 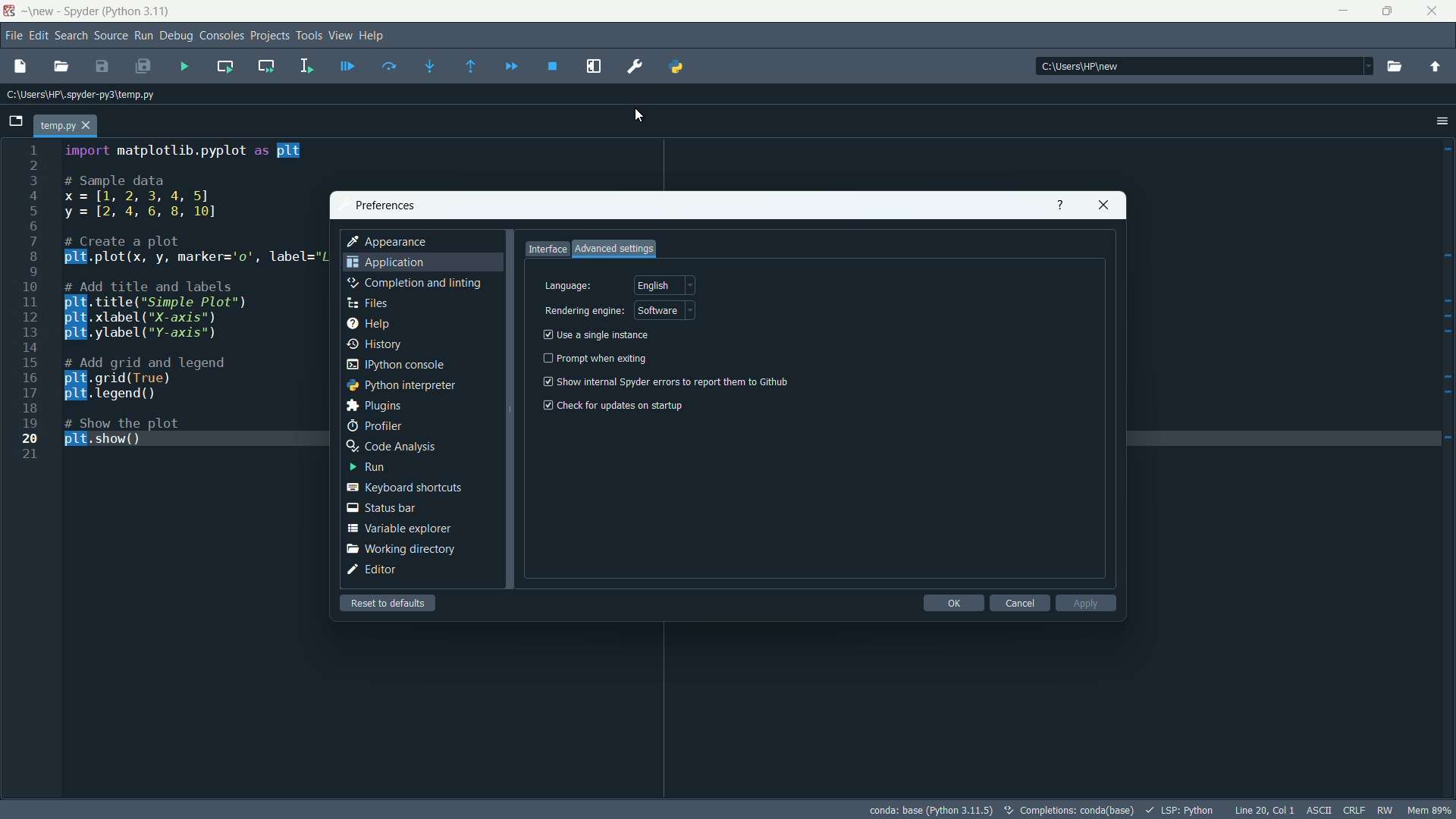 I want to click on projects, so click(x=269, y=36).